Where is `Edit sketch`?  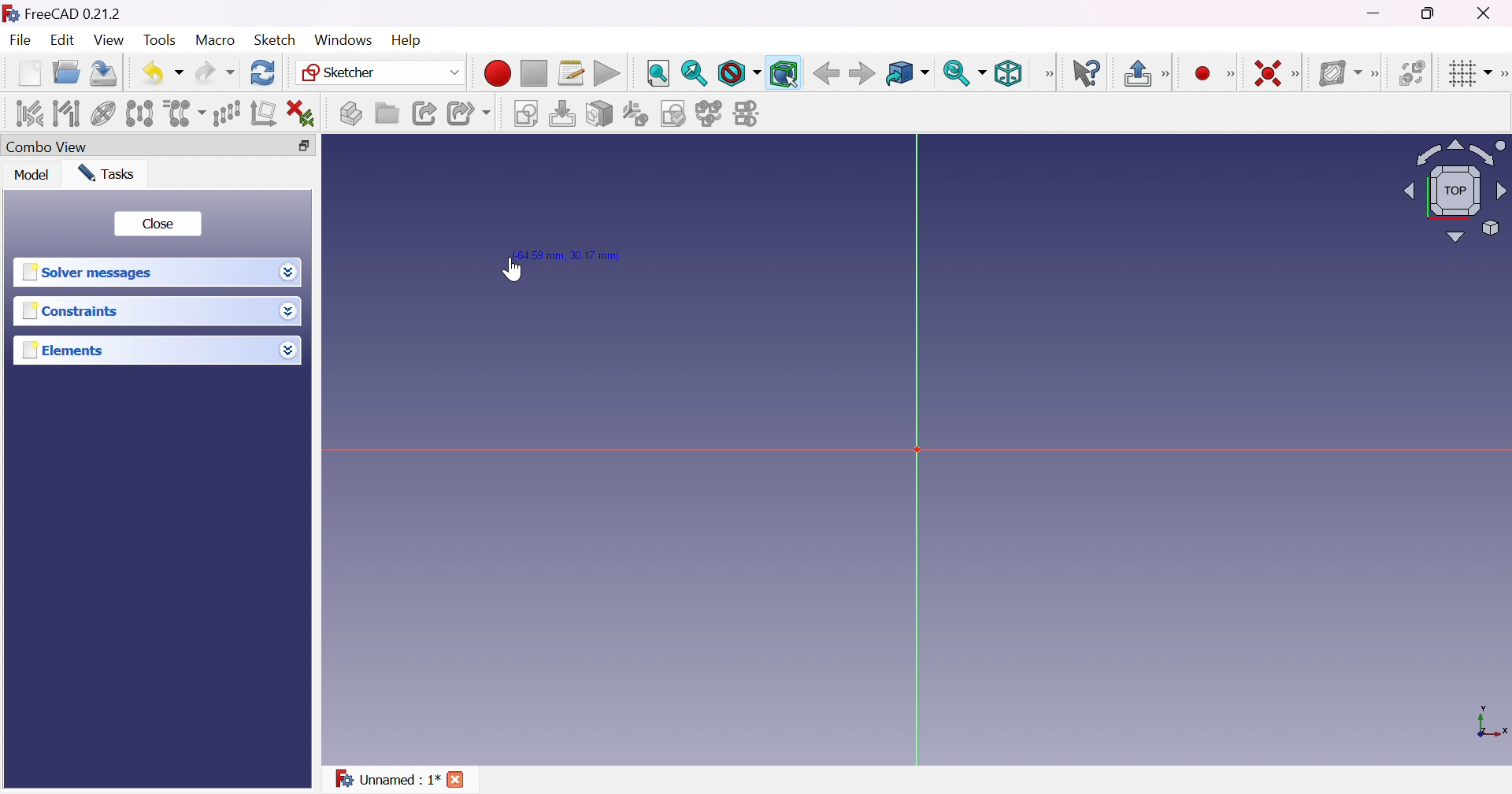 Edit sketch is located at coordinates (561, 113).